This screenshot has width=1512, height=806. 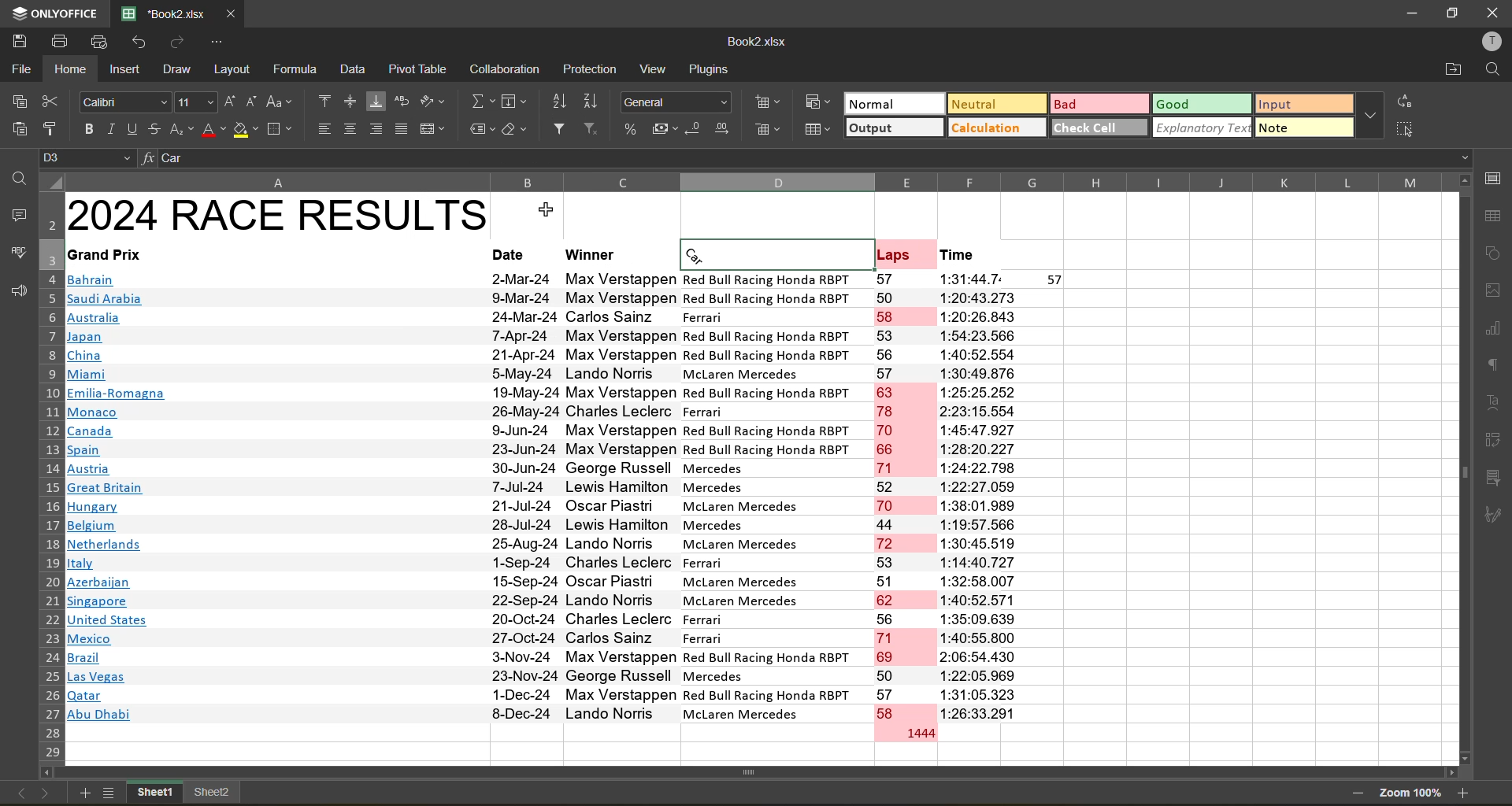 What do you see at coordinates (48, 479) in the screenshot?
I see `row number` at bounding box center [48, 479].